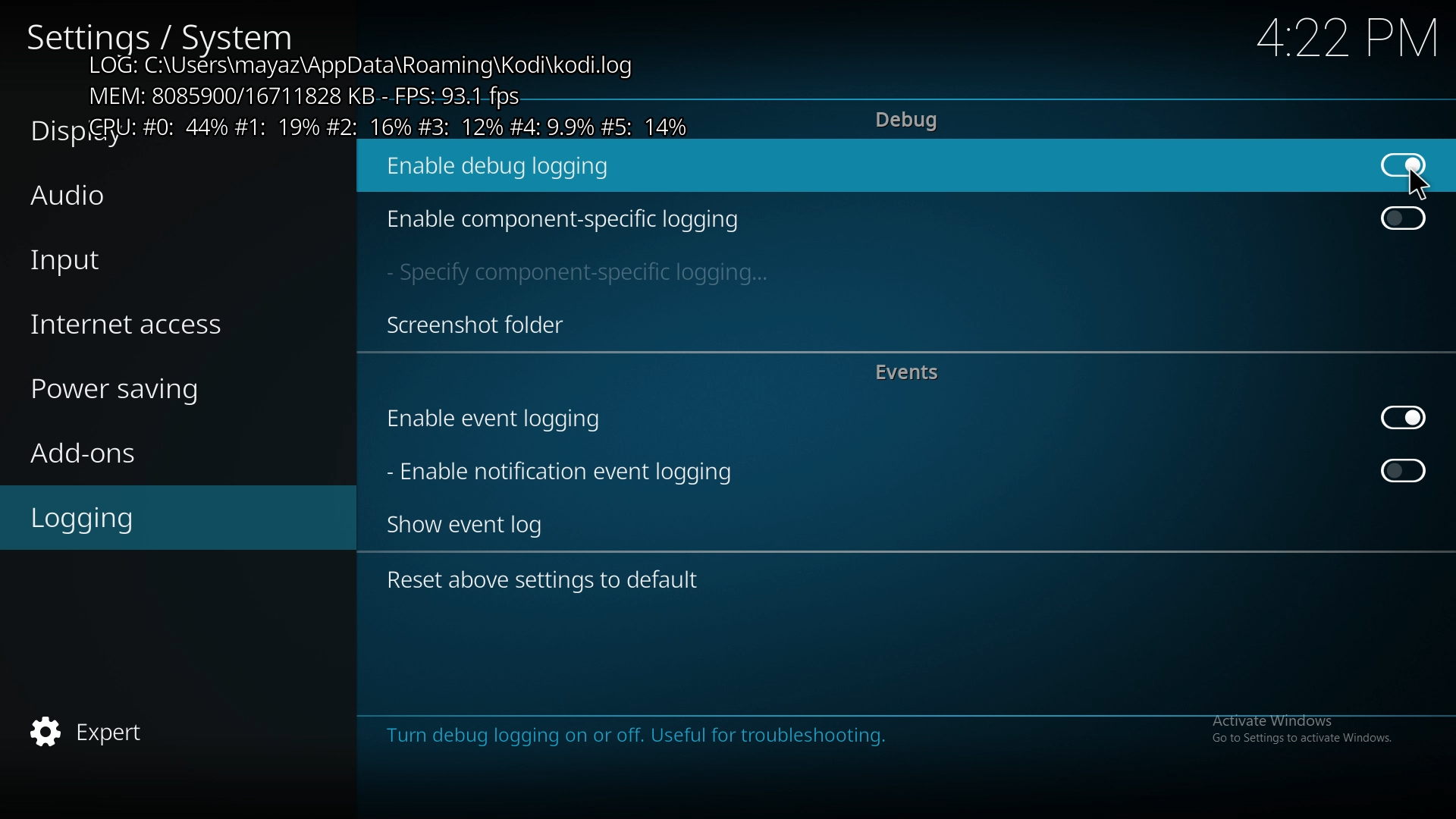 This screenshot has width=1456, height=819. I want to click on off, so click(1402, 219).